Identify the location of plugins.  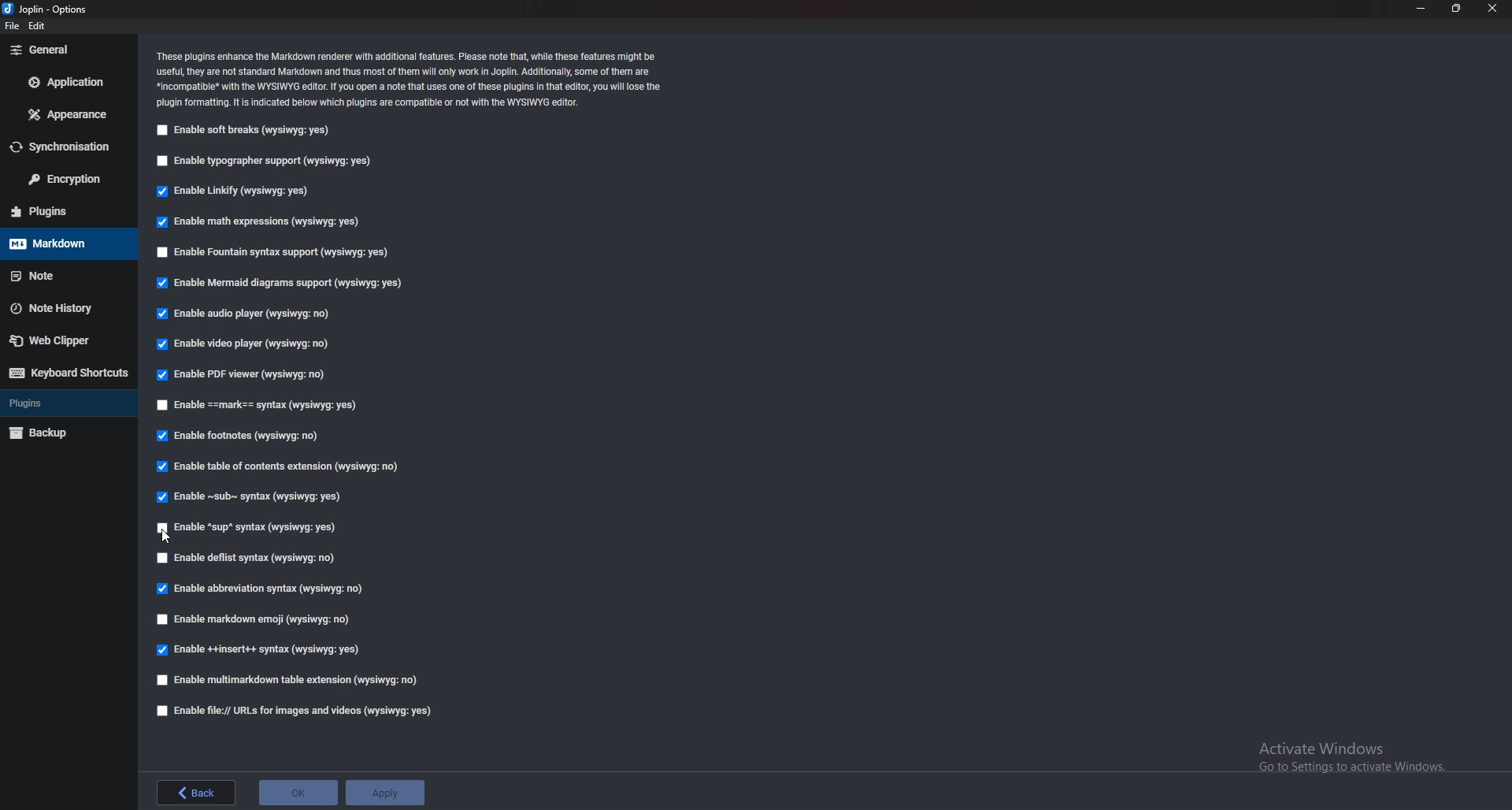
(65, 404).